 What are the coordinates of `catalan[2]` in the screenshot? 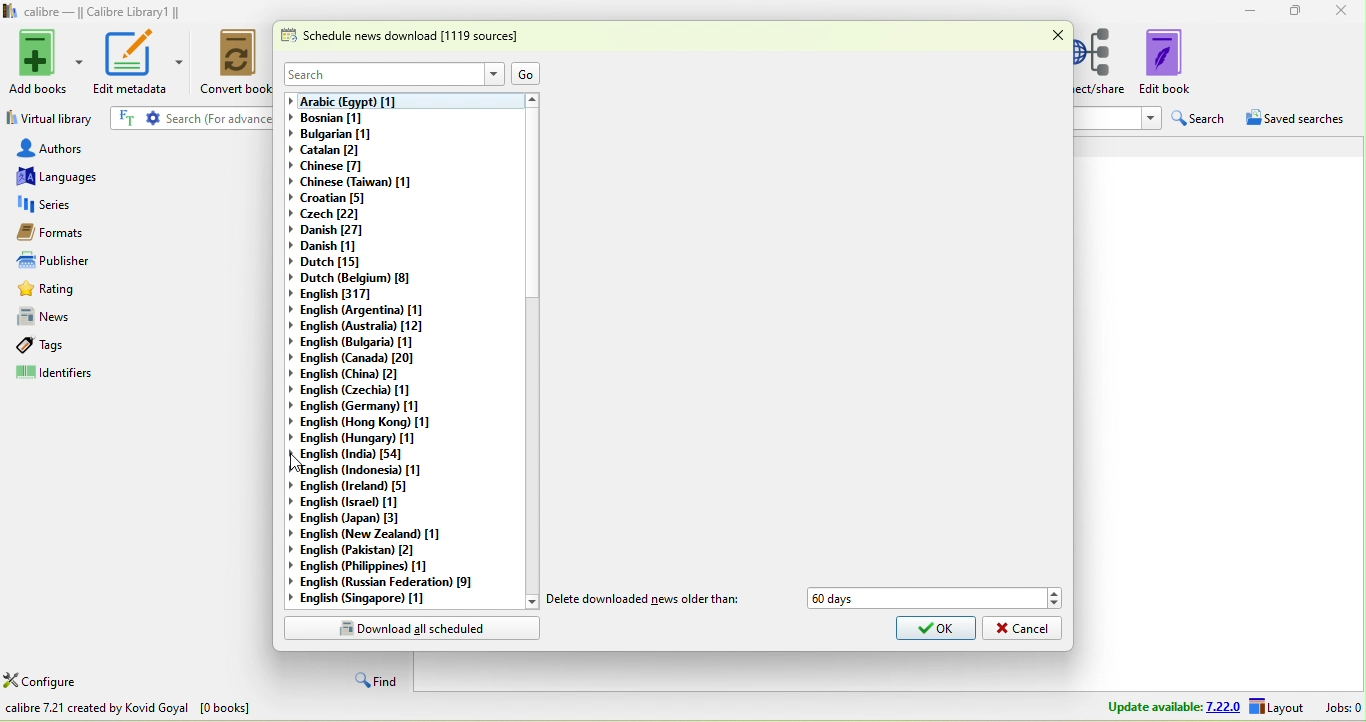 It's located at (342, 152).